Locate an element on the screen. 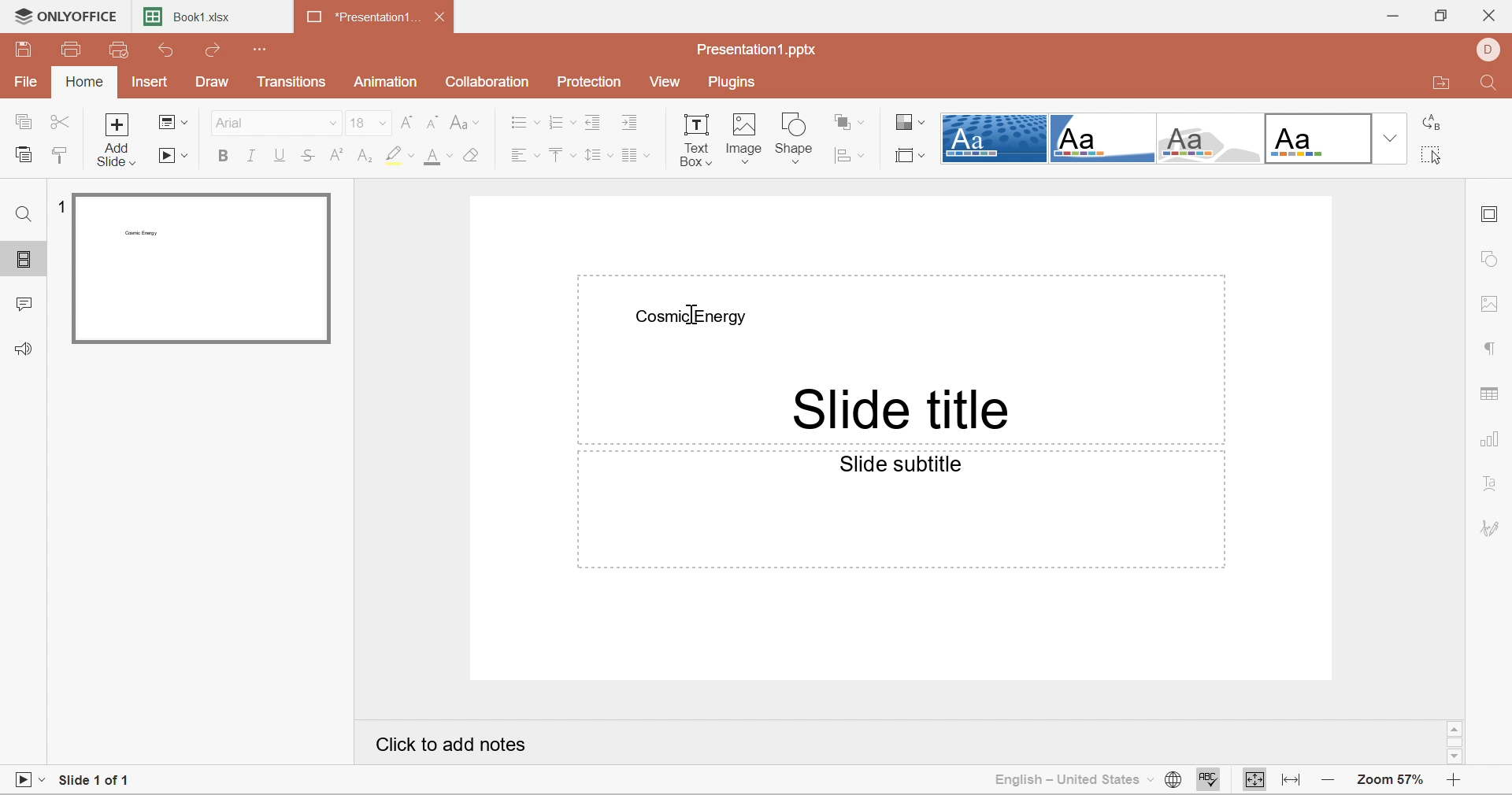 This screenshot has width=1512, height=795. Undo is located at coordinates (166, 50).